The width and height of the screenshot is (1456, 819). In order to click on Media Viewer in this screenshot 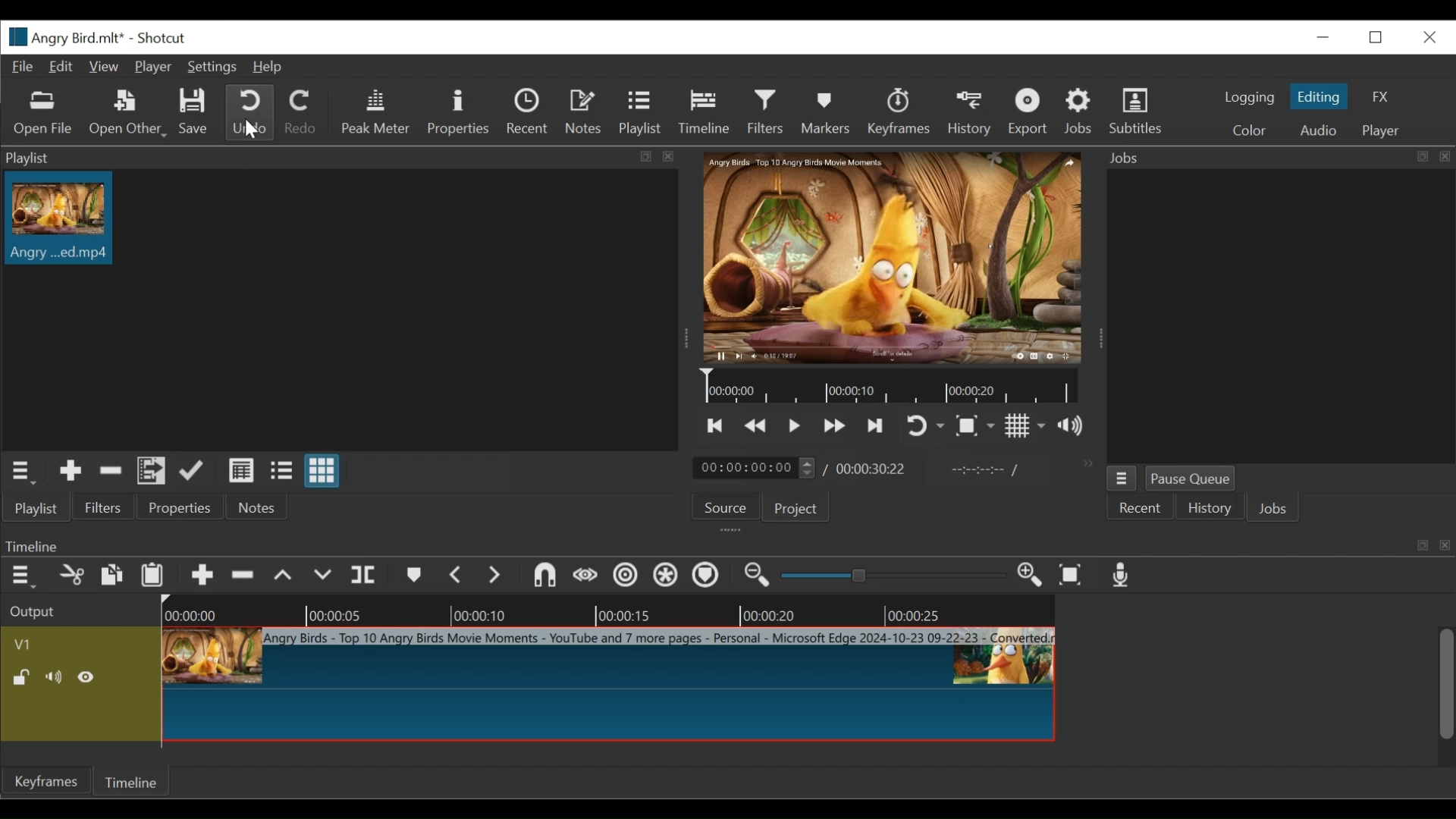, I will do `click(894, 257)`.